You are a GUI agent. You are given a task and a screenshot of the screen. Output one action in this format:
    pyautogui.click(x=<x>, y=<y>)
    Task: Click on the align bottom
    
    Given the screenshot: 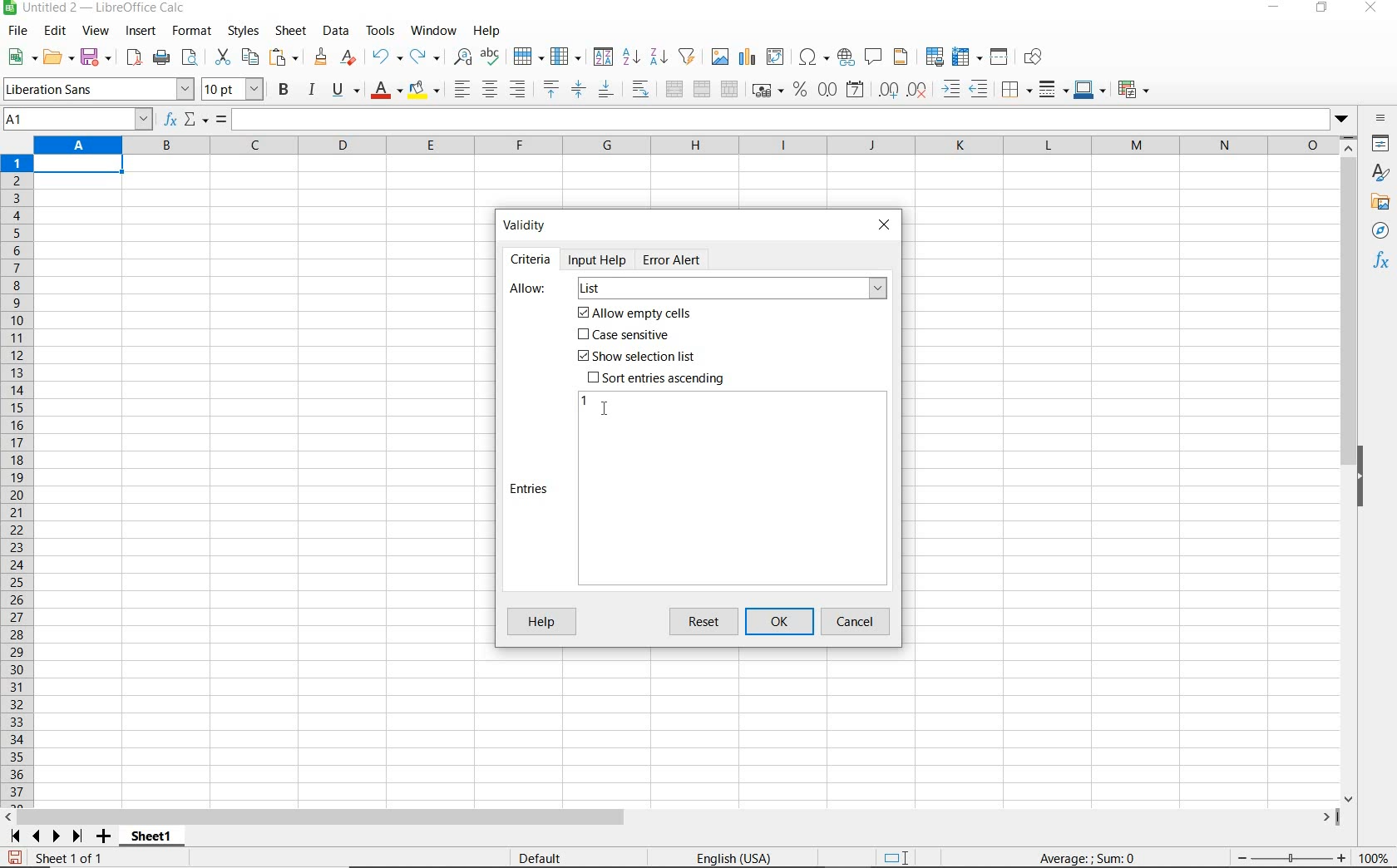 What is the action you would take?
    pyautogui.click(x=605, y=91)
    